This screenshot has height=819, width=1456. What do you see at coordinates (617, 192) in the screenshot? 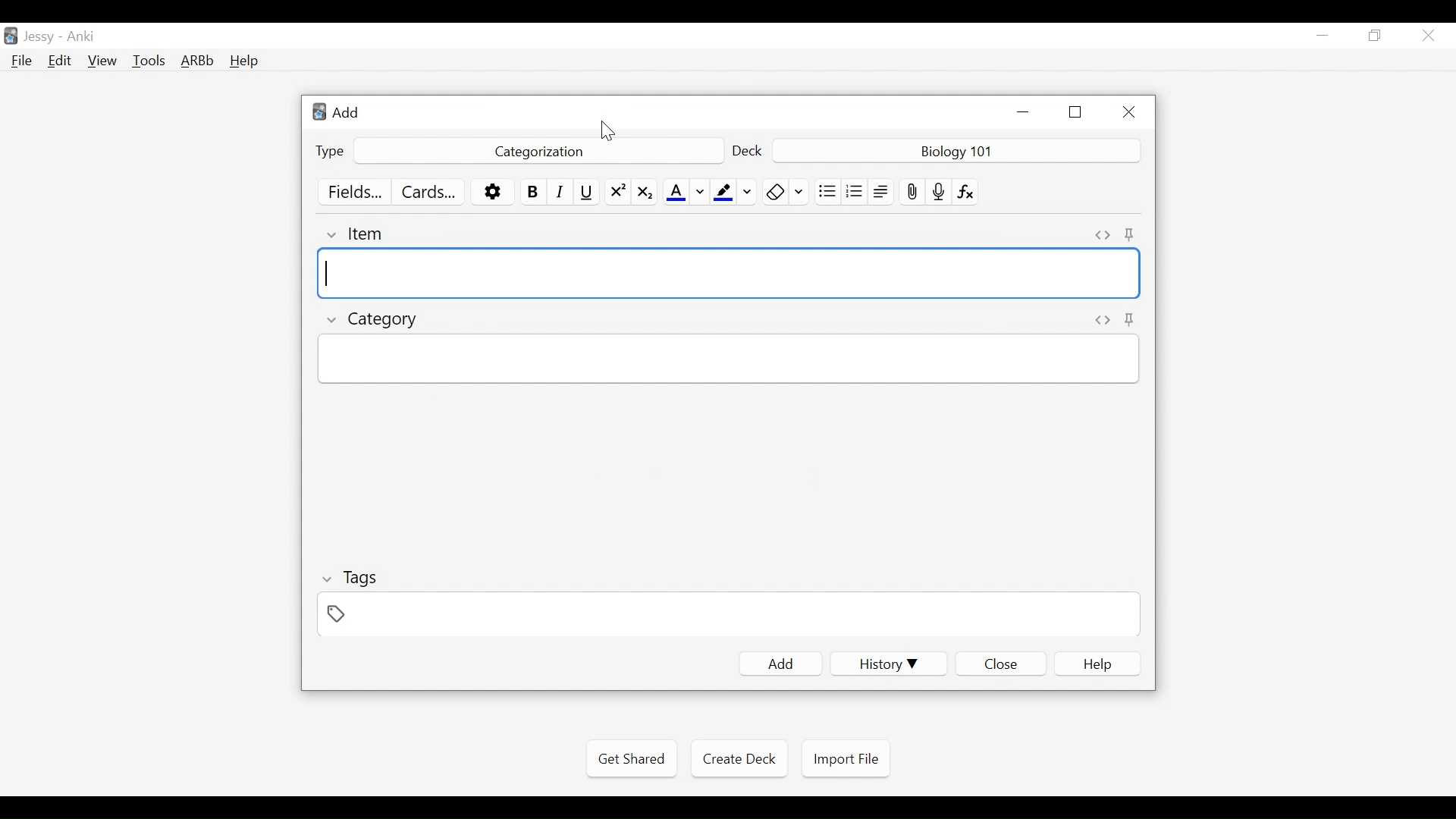
I see `Superscript` at bounding box center [617, 192].